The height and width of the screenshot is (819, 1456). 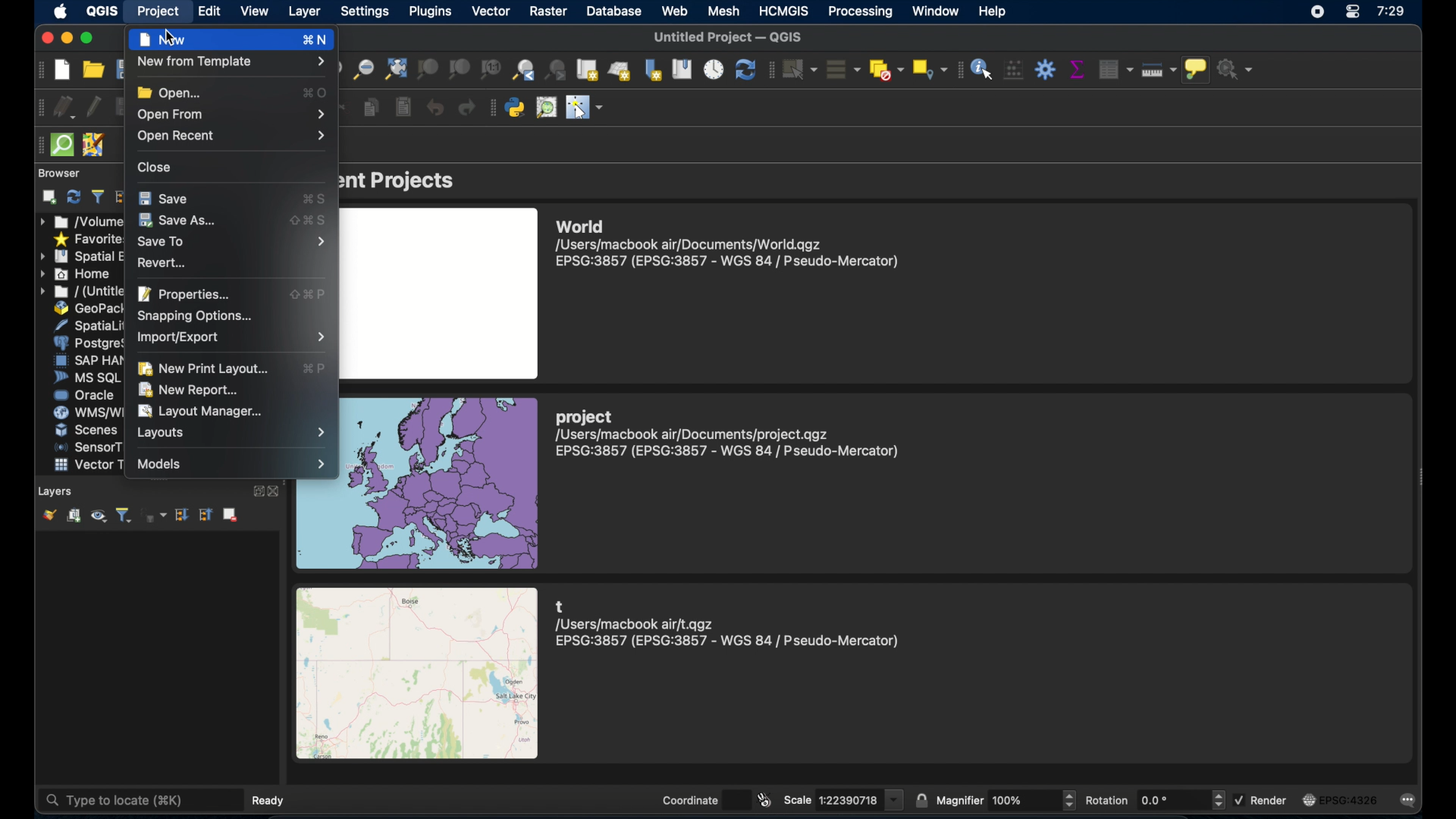 What do you see at coordinates (688, 799) in the screenshot?
I see `coordinate` at bounding box center [688, 799].